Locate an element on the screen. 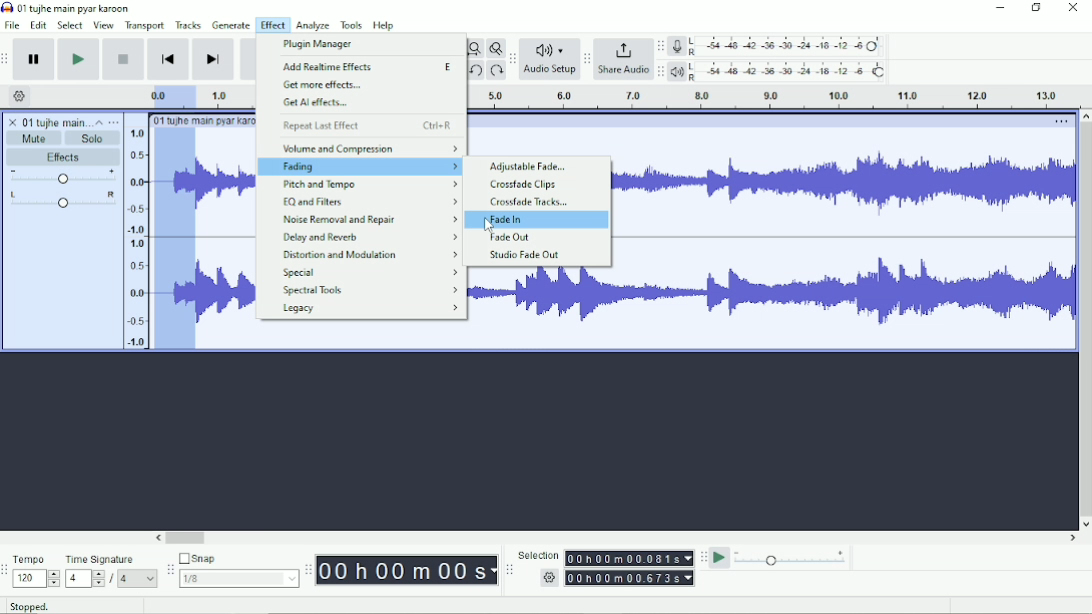  Collapse is located at coordinates (99, 122).